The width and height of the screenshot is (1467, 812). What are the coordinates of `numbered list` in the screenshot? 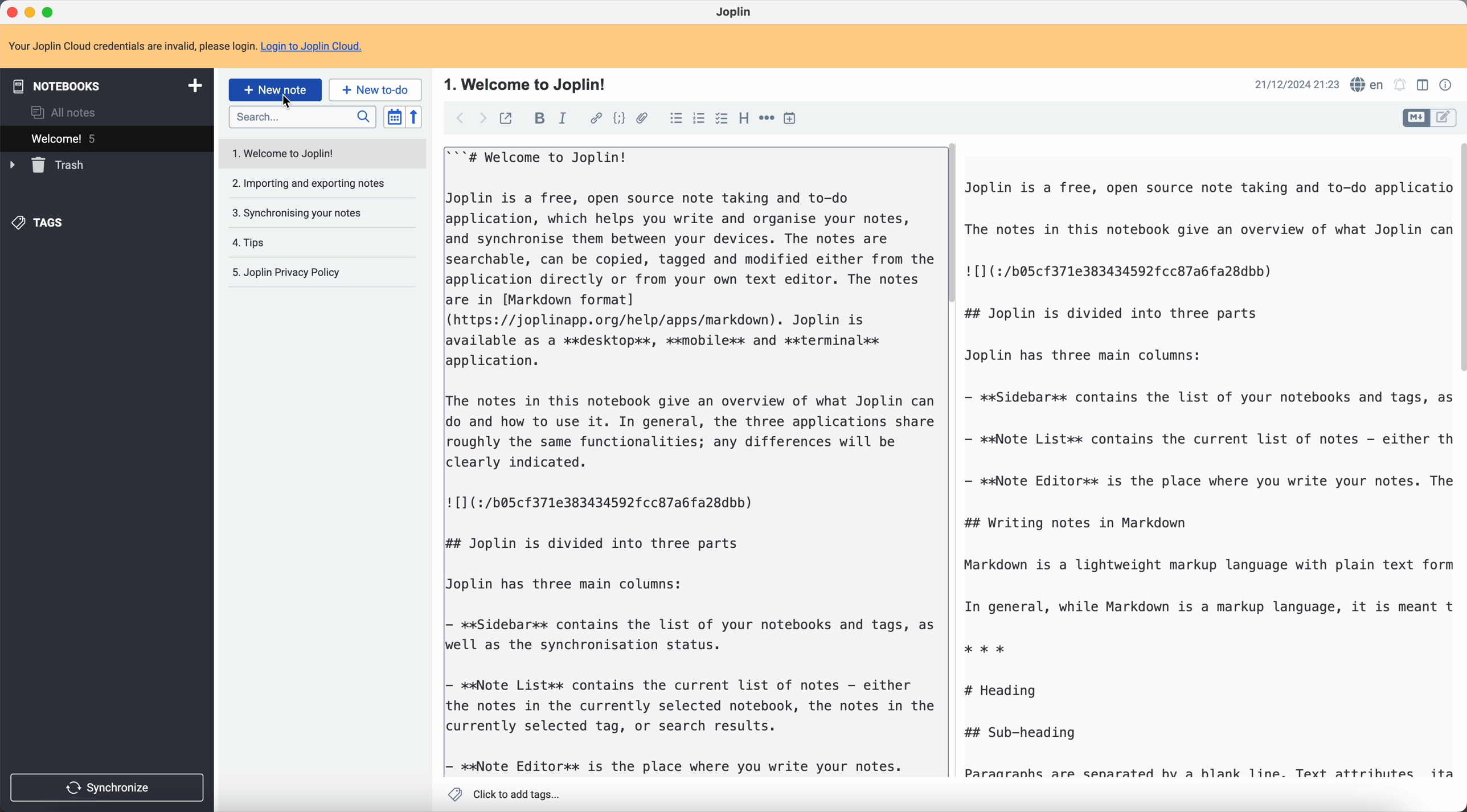 It's located at (700, 118).